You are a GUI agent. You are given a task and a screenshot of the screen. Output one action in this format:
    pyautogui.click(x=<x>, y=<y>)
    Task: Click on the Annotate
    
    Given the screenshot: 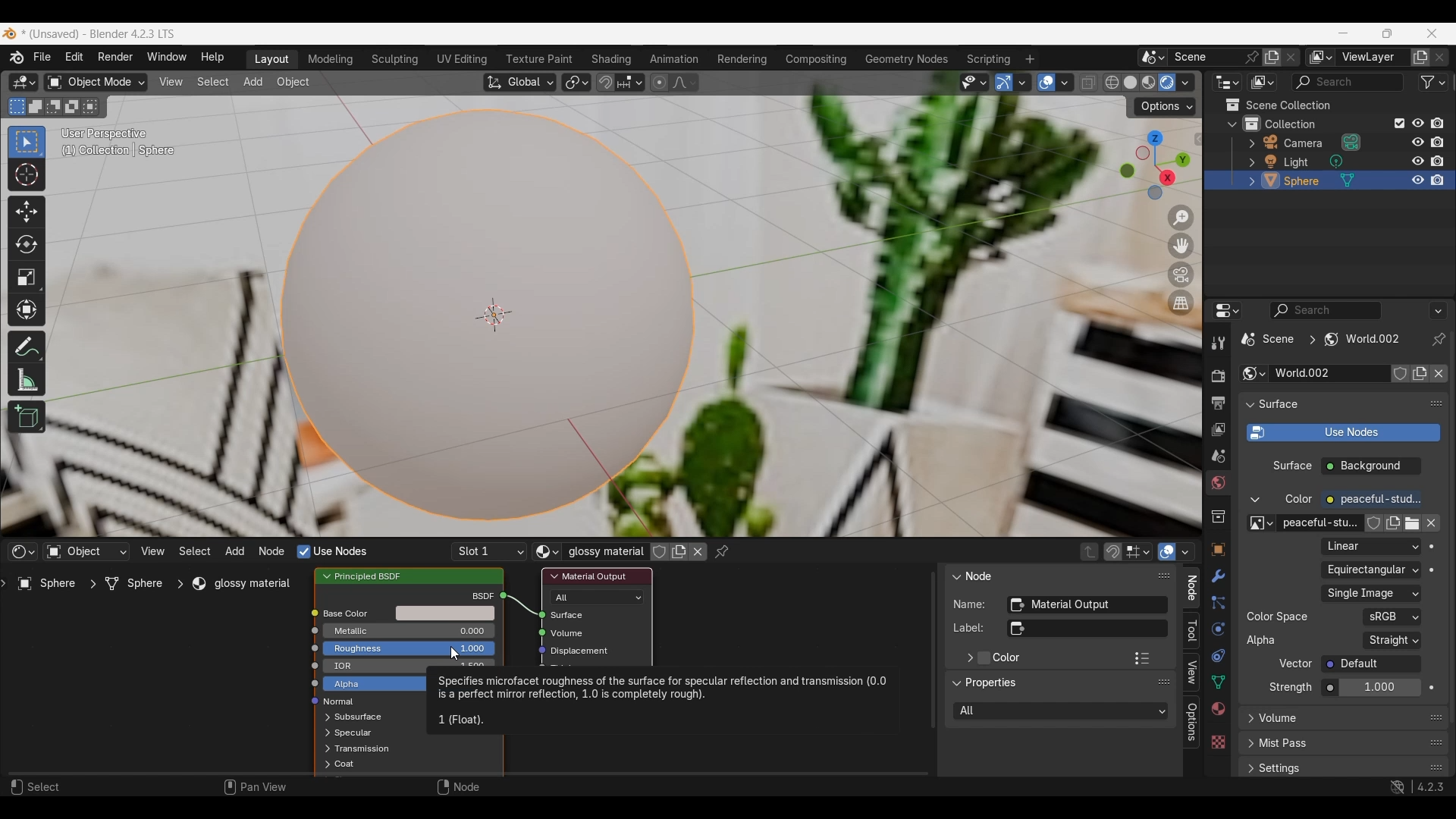 What is the action you would take?
    pyautogui.click(x=27, y=347)
    